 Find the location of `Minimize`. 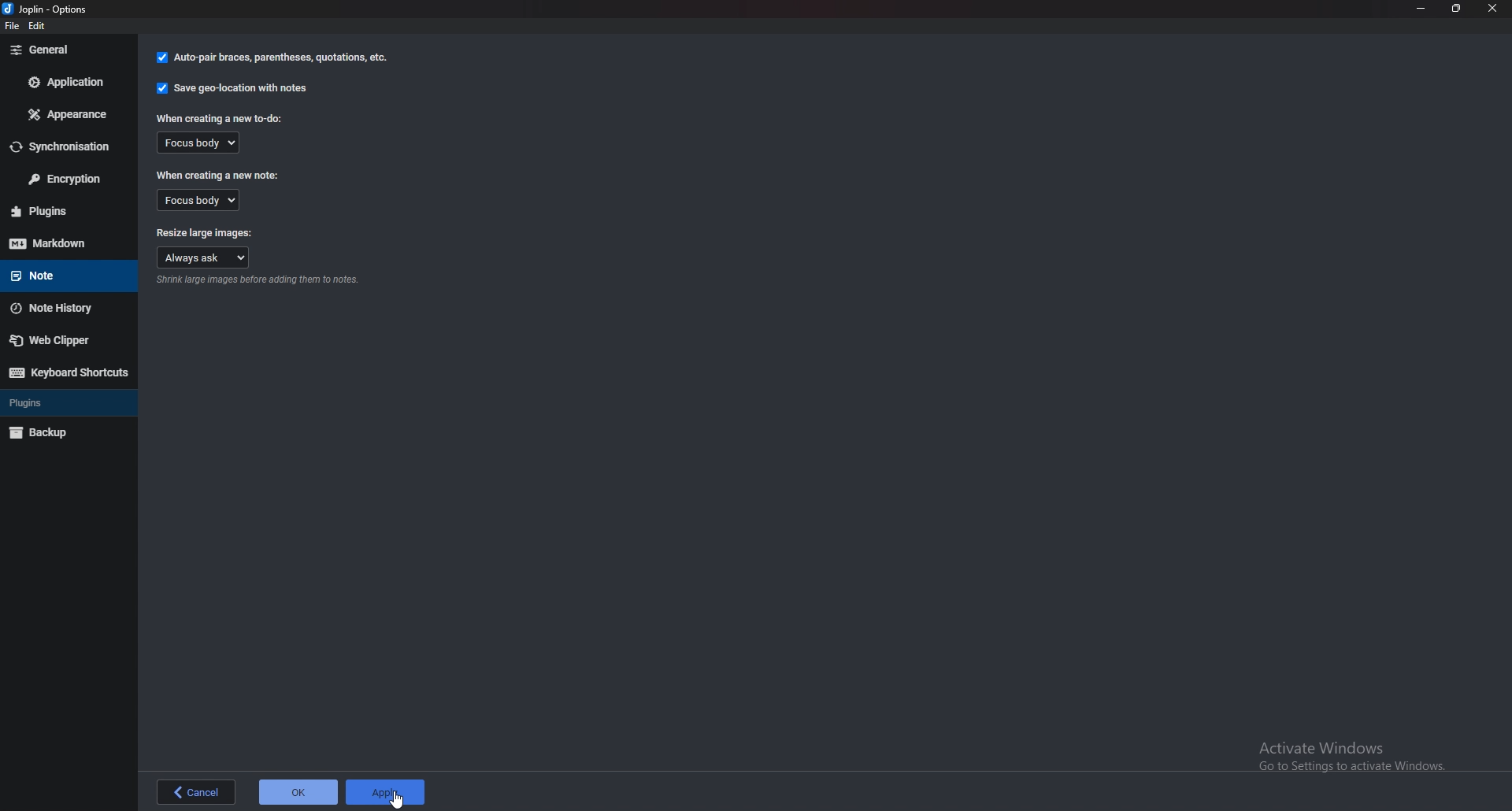

Minimize is located at coordinates (1421, 8).